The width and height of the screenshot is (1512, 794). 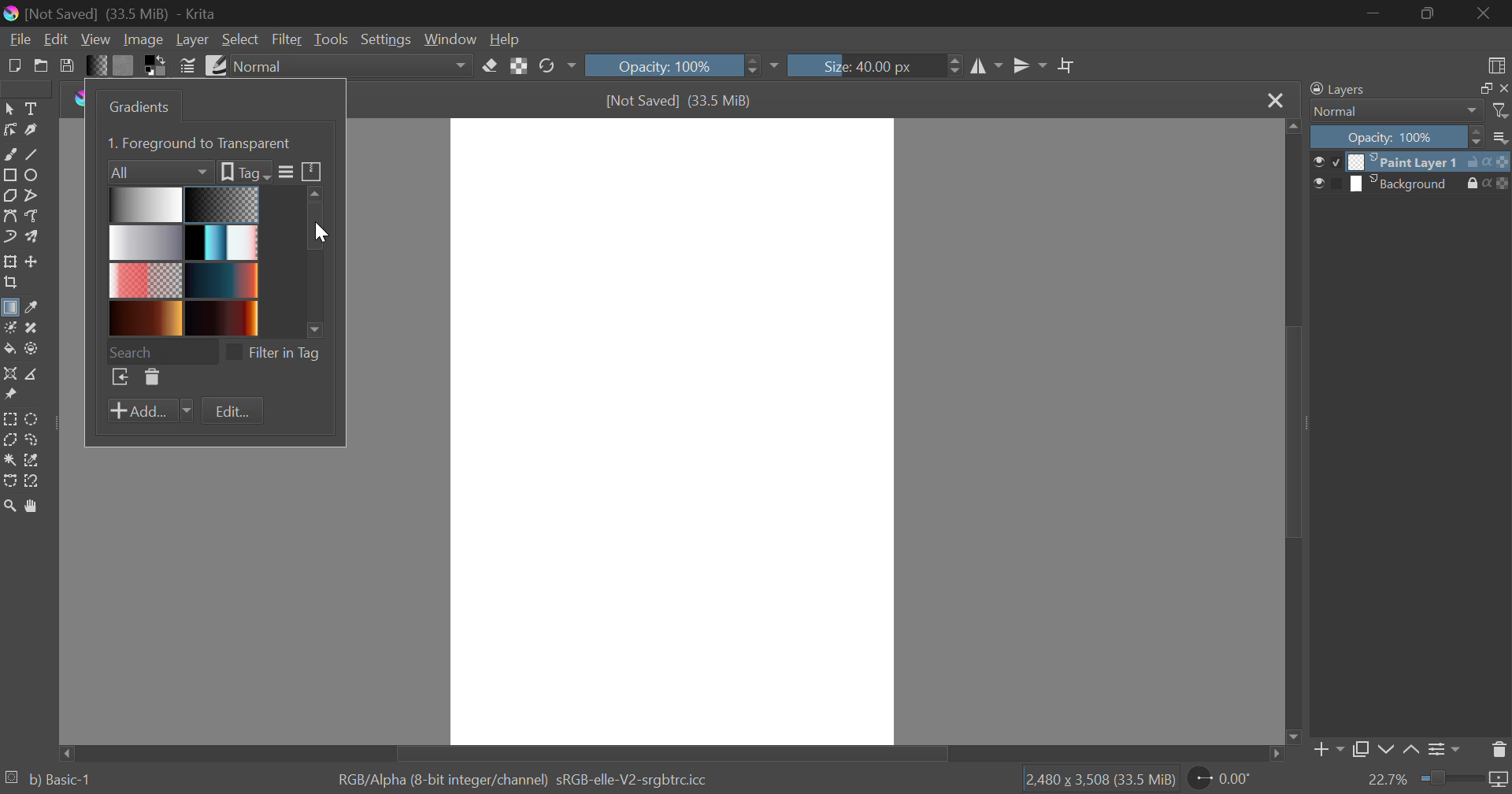 I want to click on Gradient 6, so click(x=223, y=279).